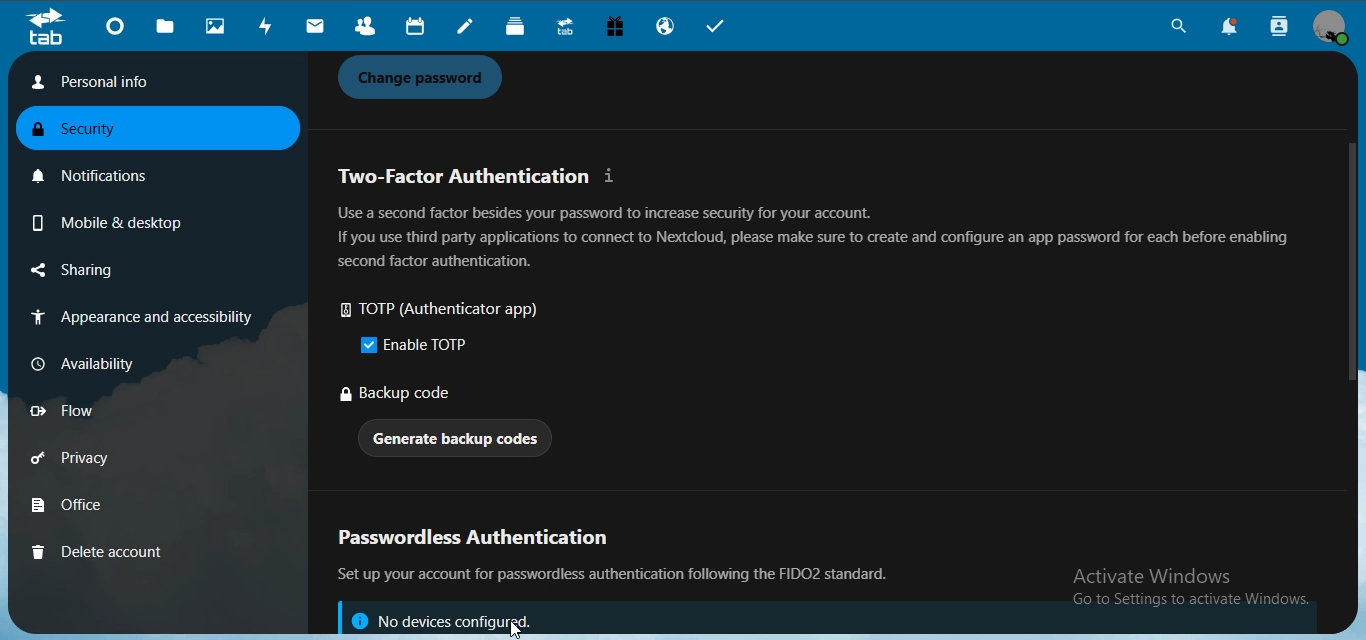 Image resolution: width=1366 pixels, height=640 pixels. I want to click on generate backup codes, so click(458, 441).